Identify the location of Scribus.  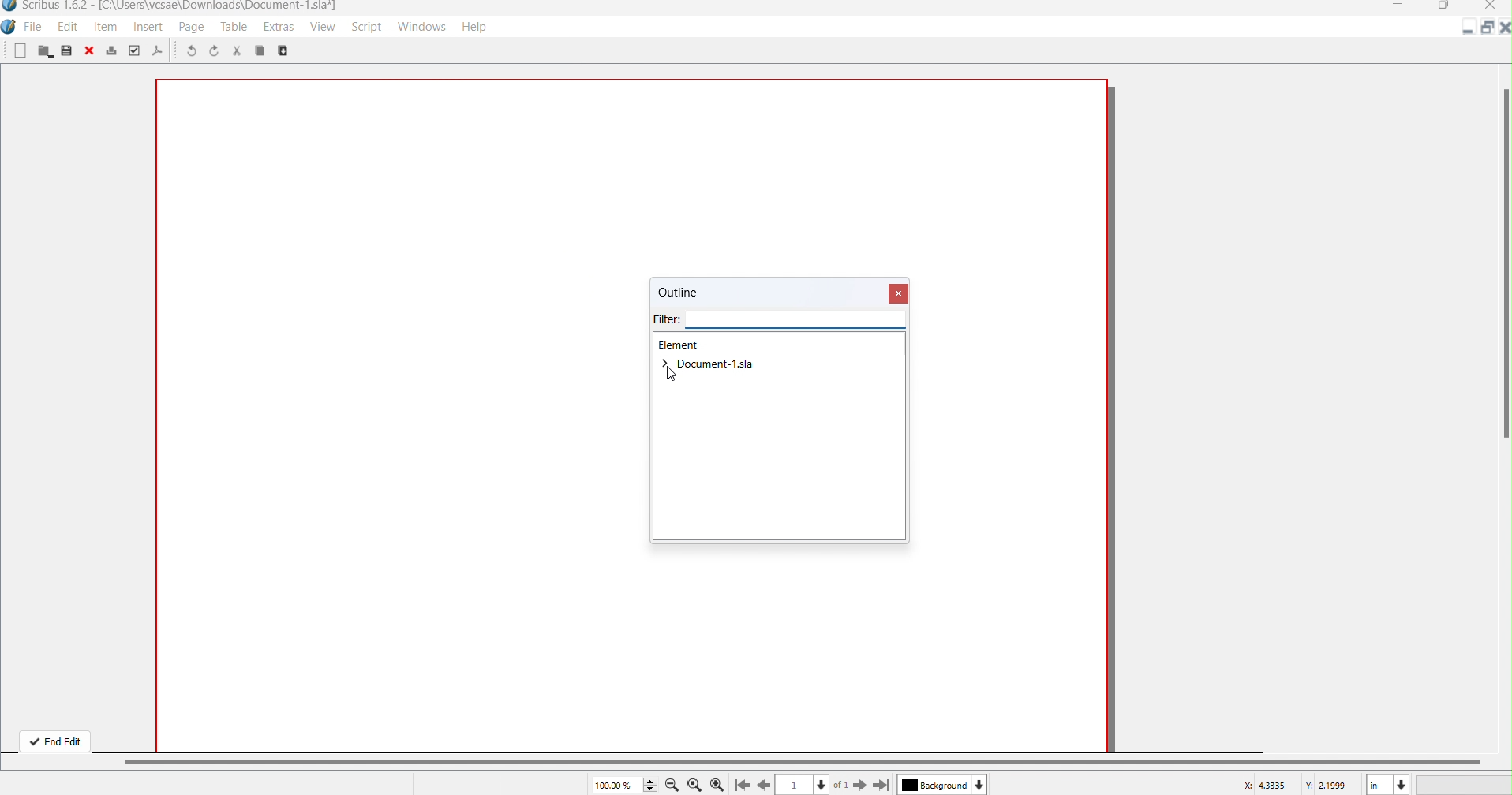
(169, 8).